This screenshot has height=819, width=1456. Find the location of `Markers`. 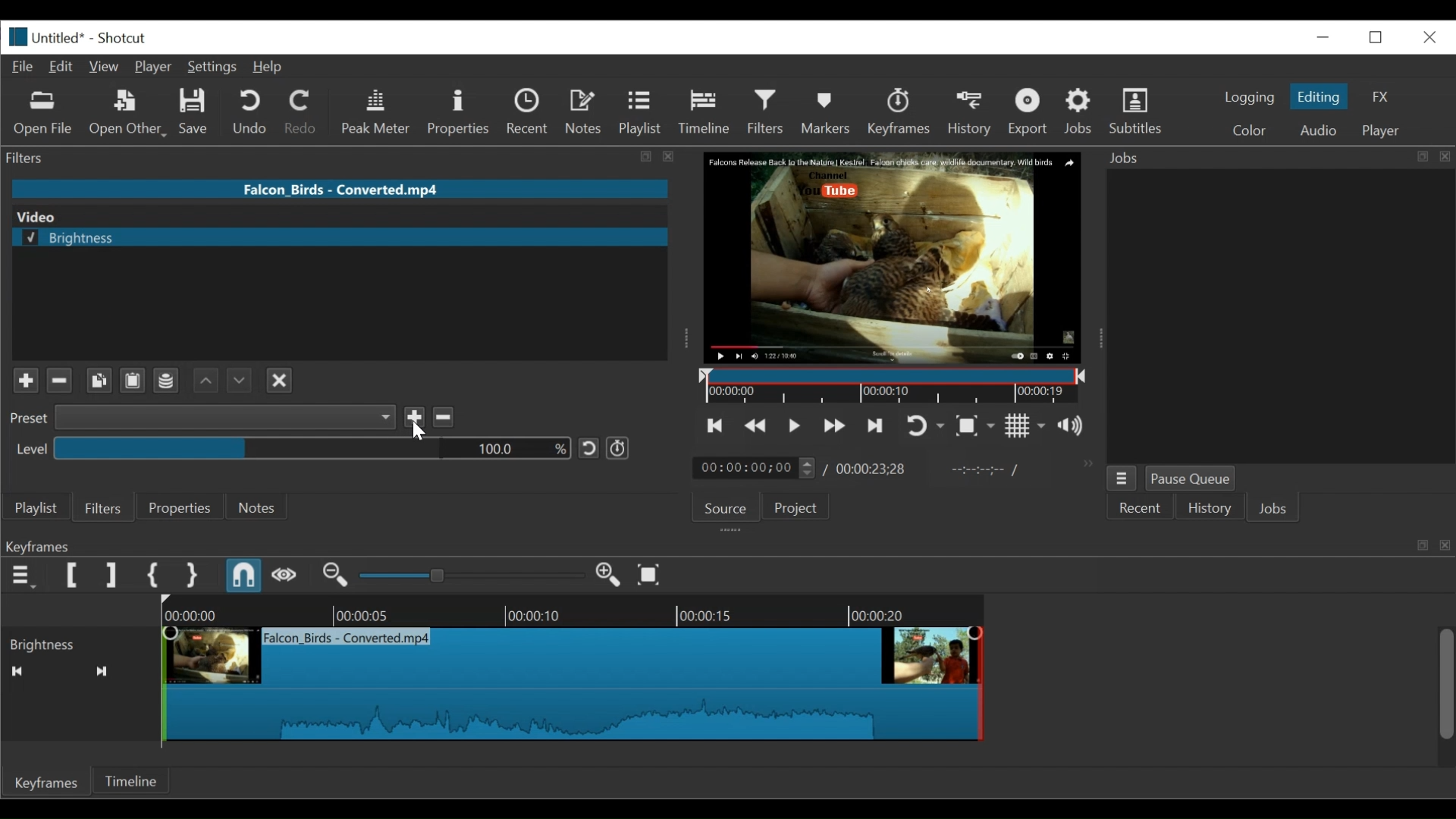

Markers is located at coordinates (827, 111).